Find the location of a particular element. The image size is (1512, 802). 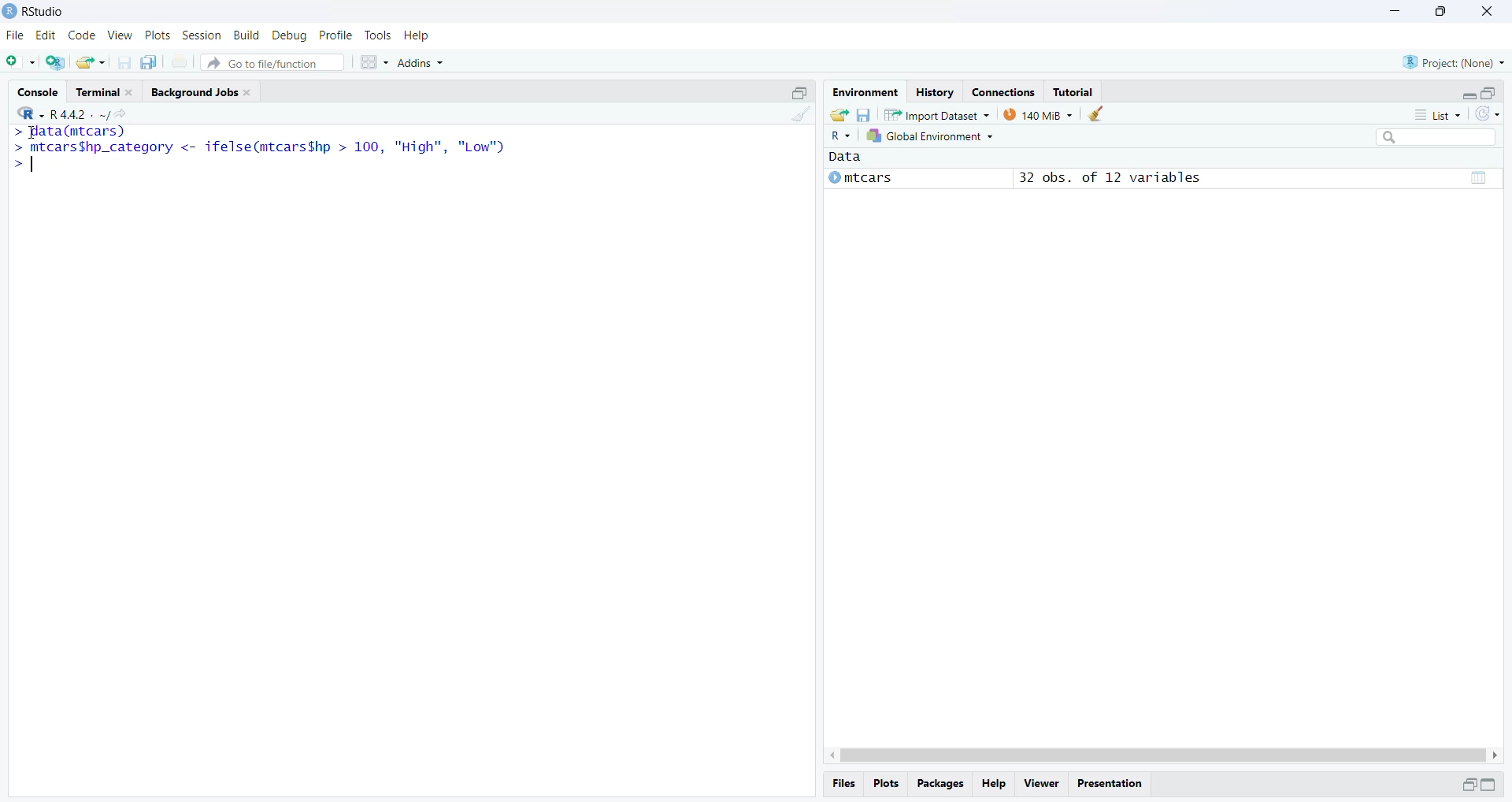

Help is located at coordinates (996, 784).